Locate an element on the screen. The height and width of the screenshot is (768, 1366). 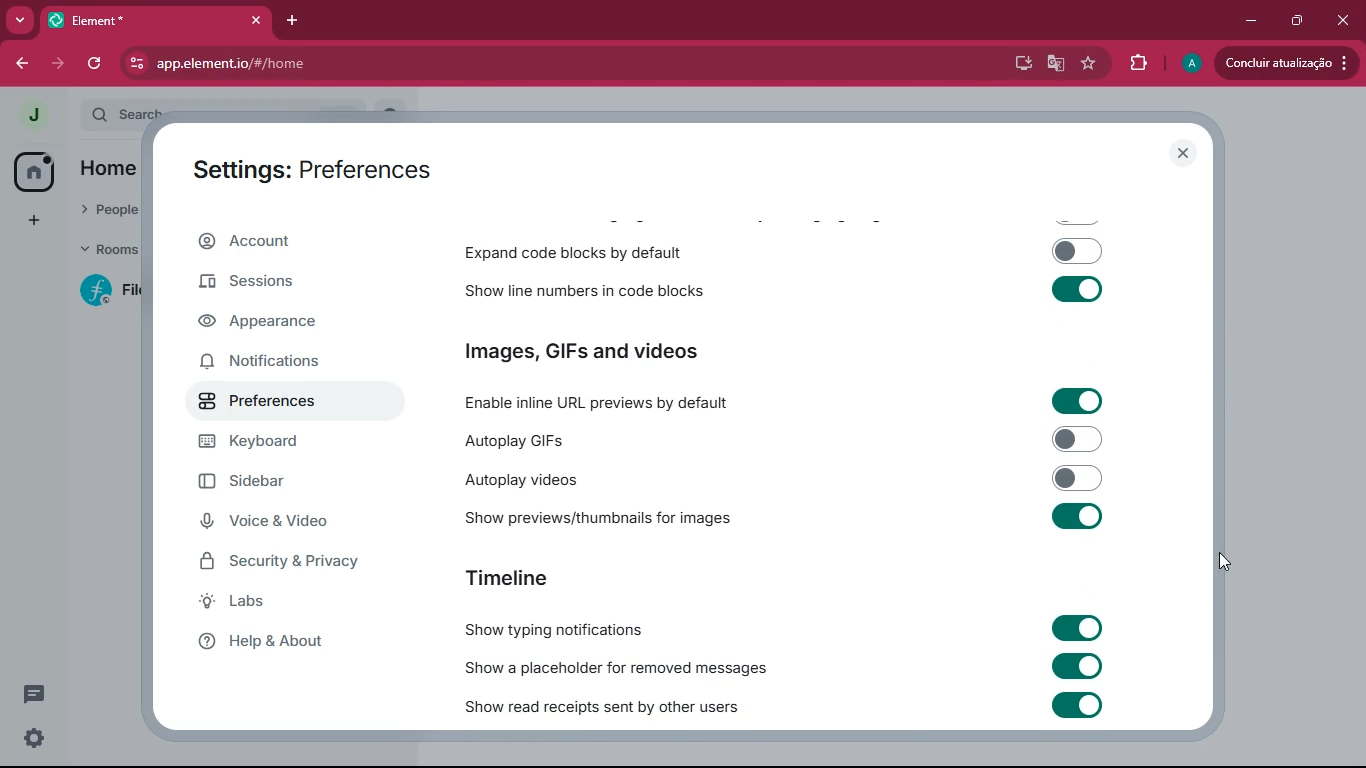
autoplay GIFs is located at coordinates (622, 442).